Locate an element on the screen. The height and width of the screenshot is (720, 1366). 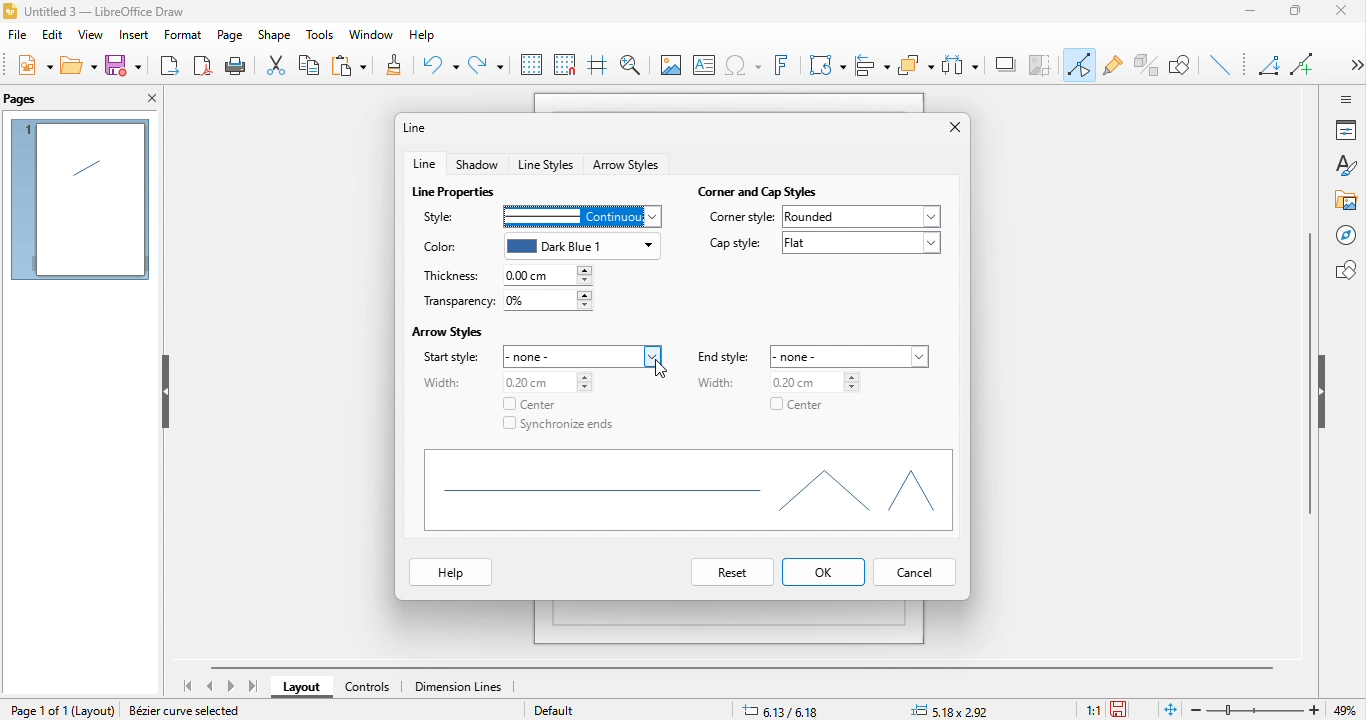
text box is located at coordinates (705, 68).